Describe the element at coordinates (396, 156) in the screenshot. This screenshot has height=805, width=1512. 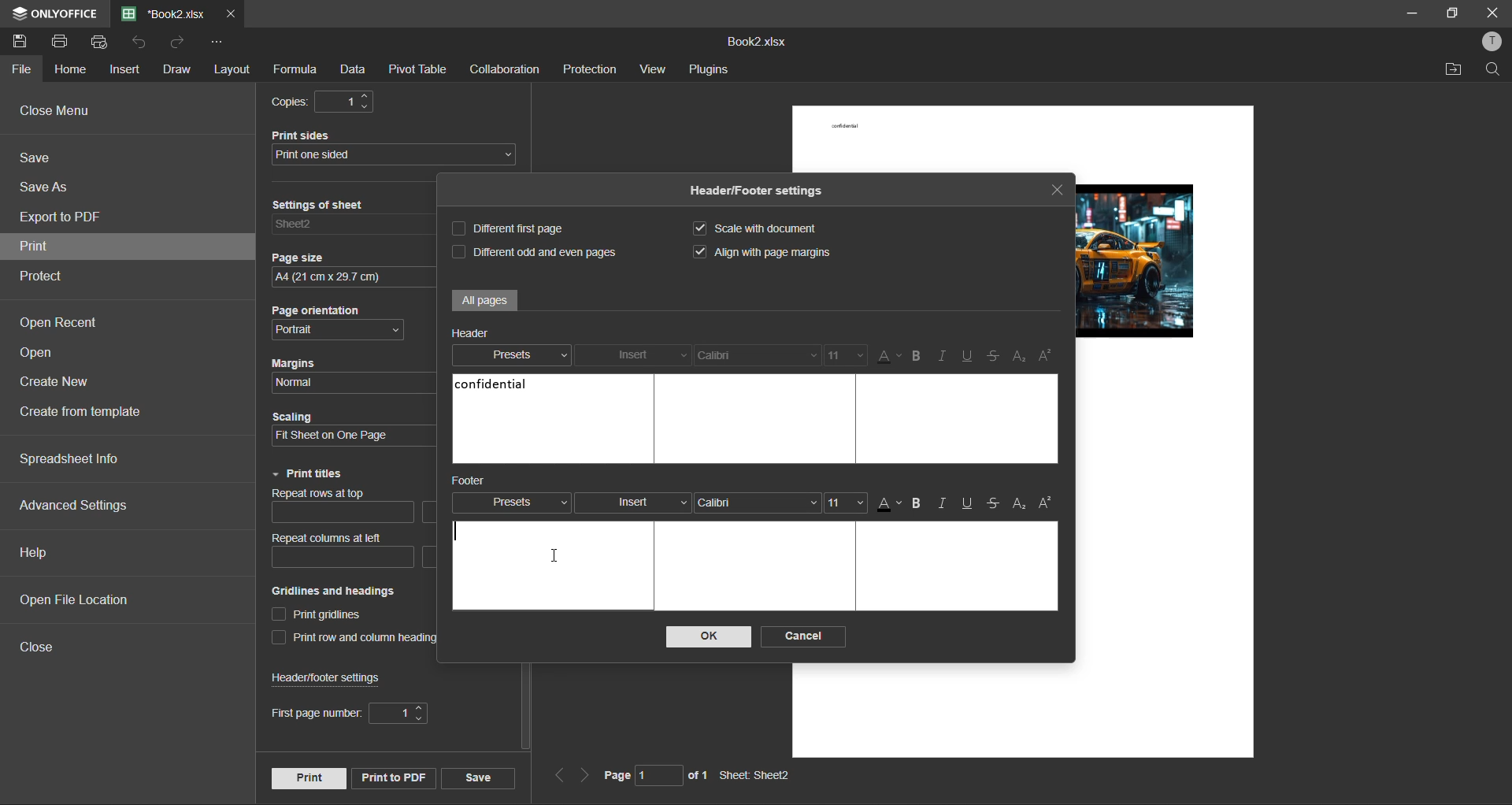
I see `print sides` at that location.